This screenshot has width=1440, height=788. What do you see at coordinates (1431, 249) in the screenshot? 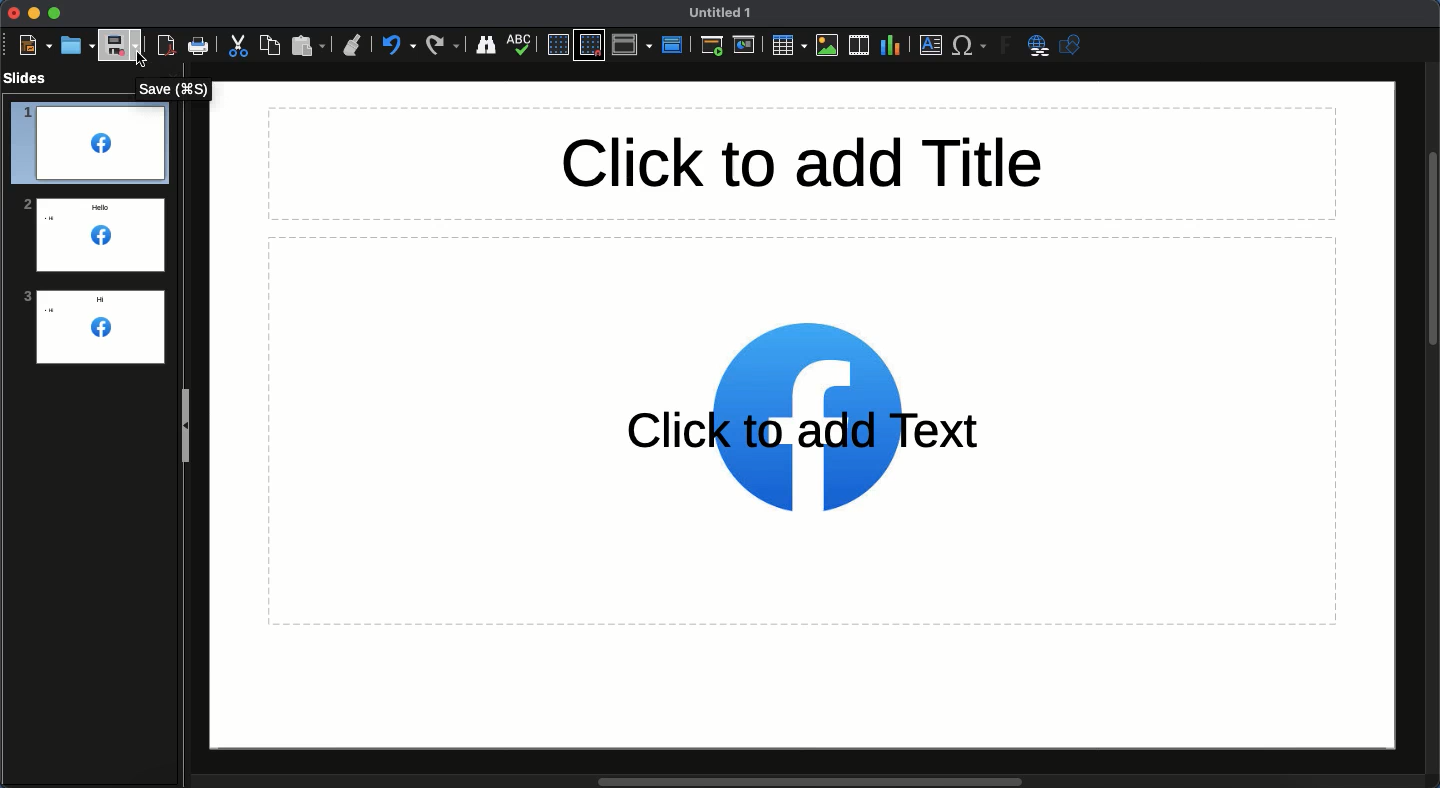
I see `Scroll bar` at bounding box center [1431, 249].